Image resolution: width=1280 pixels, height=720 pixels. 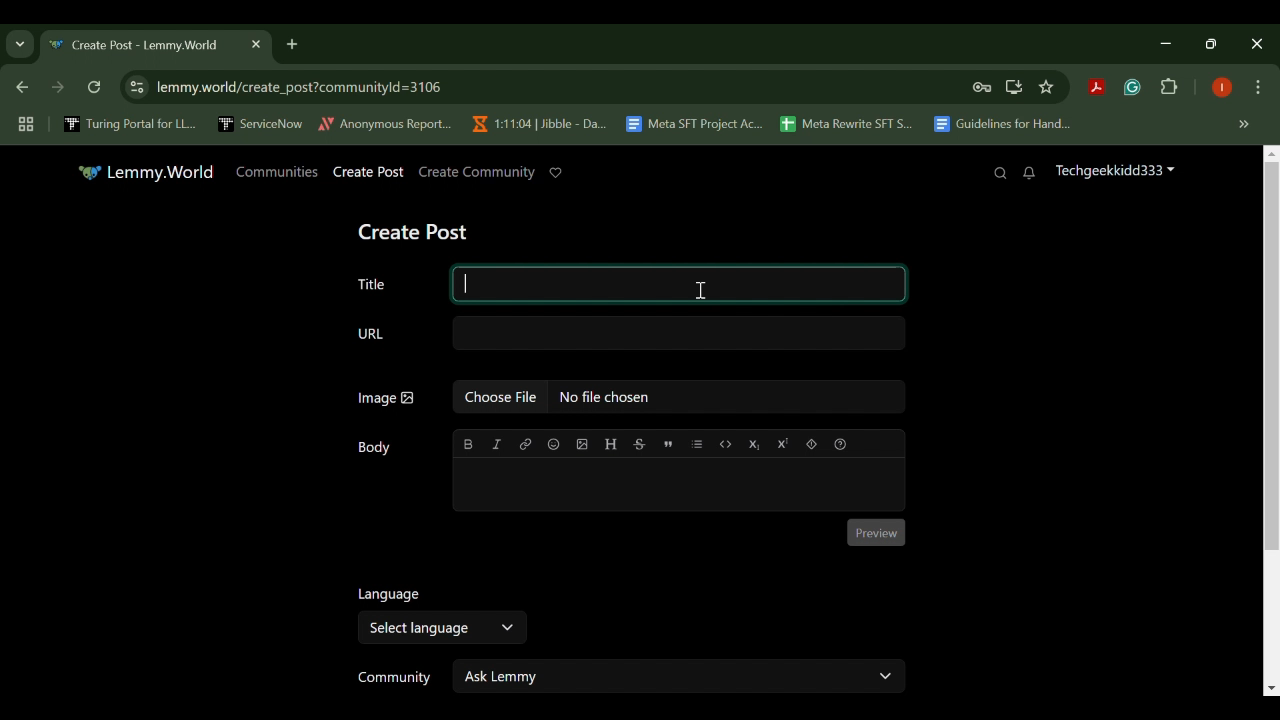 I want to click on code , so click(x=726, y=442).